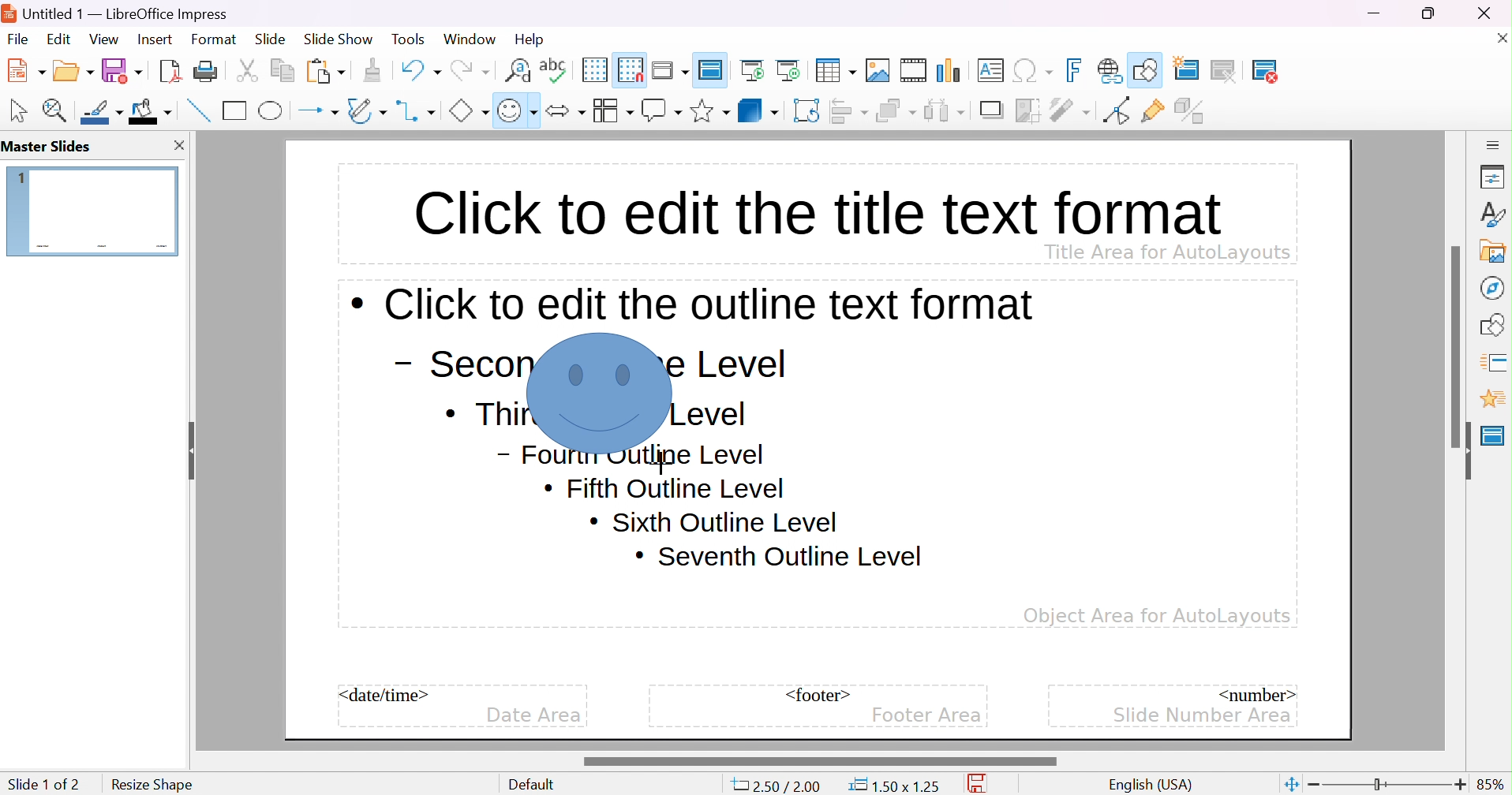  What do you see at coordinates (1157, 616) in the screenshot?
I see `object area for autolayouts` at bounding box center [1157, 616].